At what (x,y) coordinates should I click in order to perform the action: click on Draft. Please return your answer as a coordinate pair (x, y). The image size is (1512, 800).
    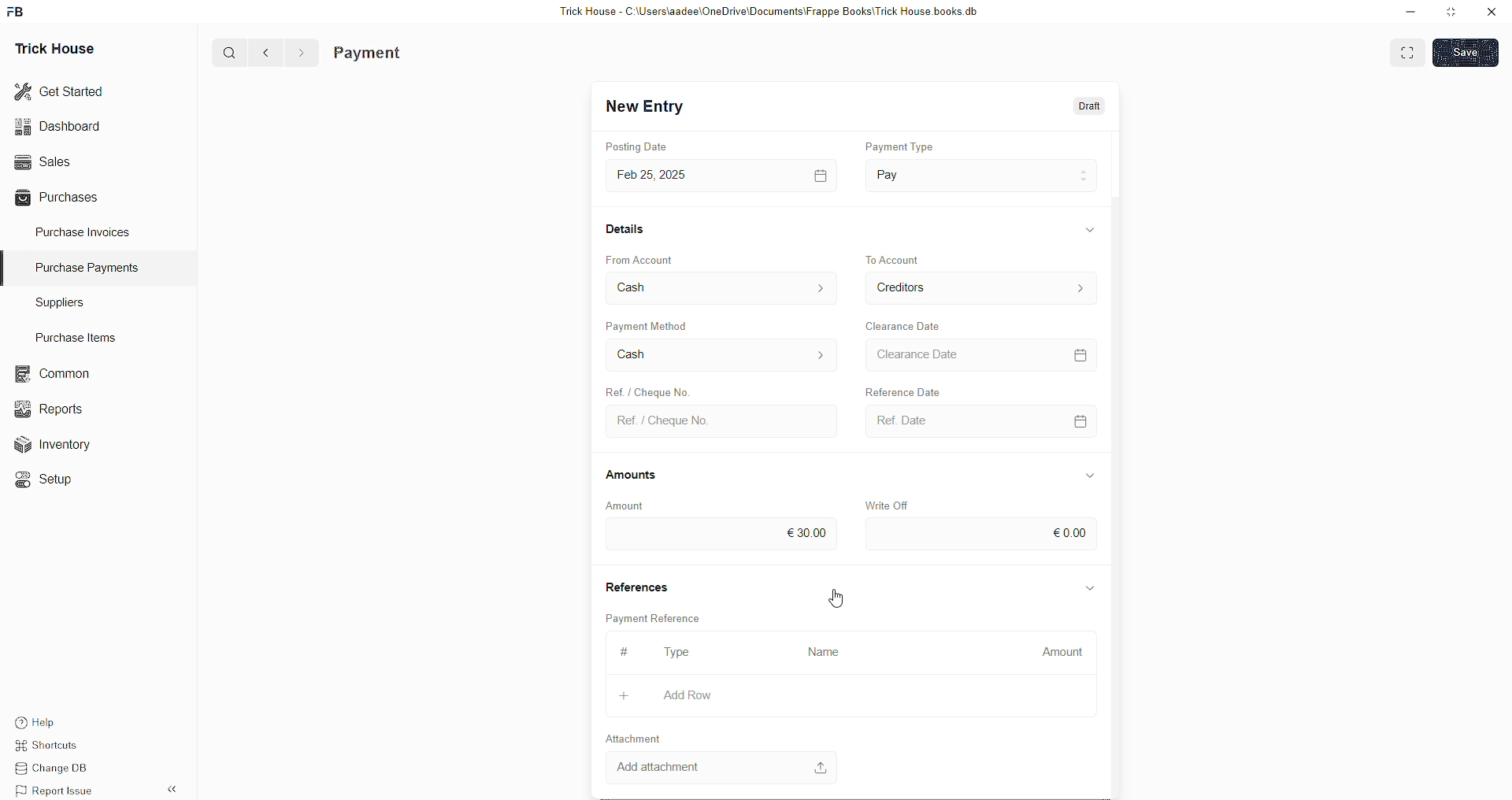
    Looking at the image, I should click on (1091, 107).